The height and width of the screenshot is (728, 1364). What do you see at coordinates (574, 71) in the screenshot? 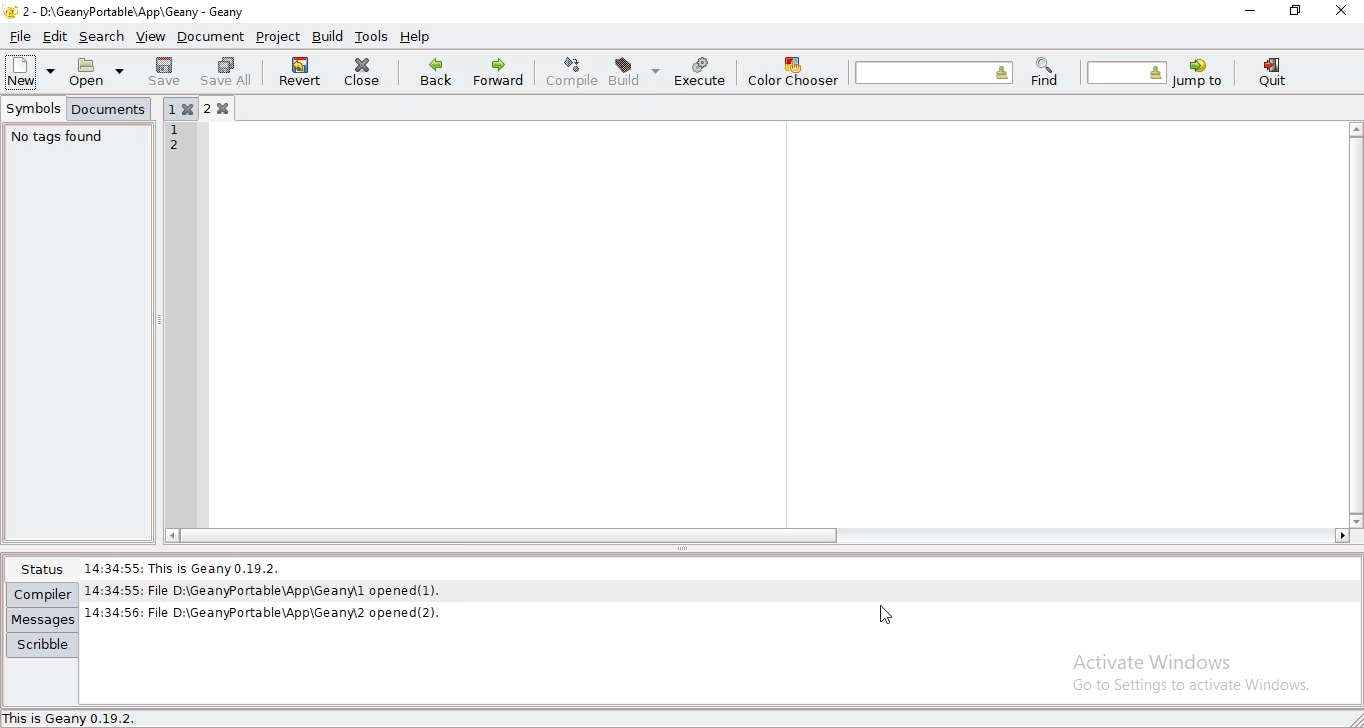
I see `compile` at bounding box center [574, 71].